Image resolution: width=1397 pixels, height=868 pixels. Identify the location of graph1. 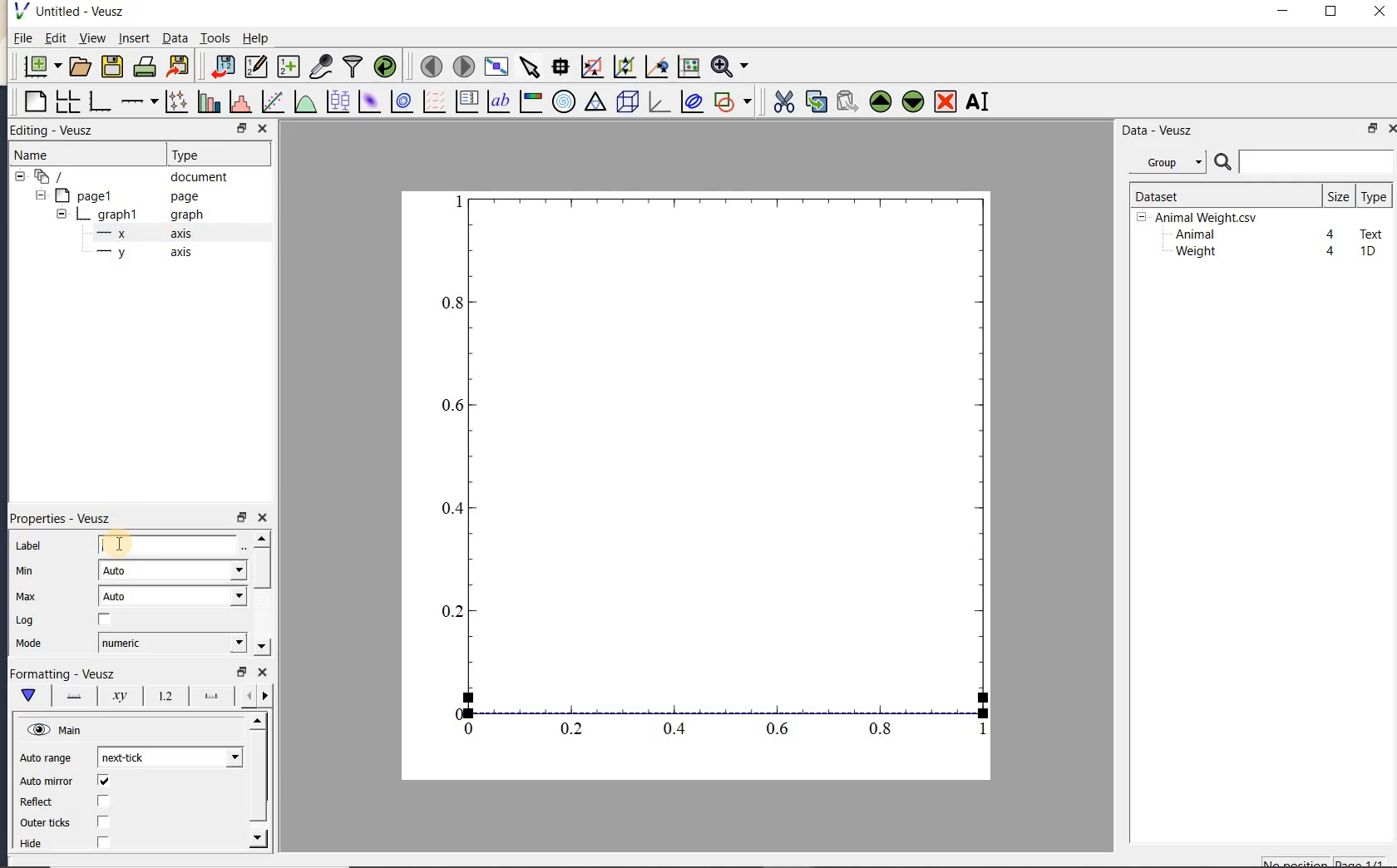
(122, 216).